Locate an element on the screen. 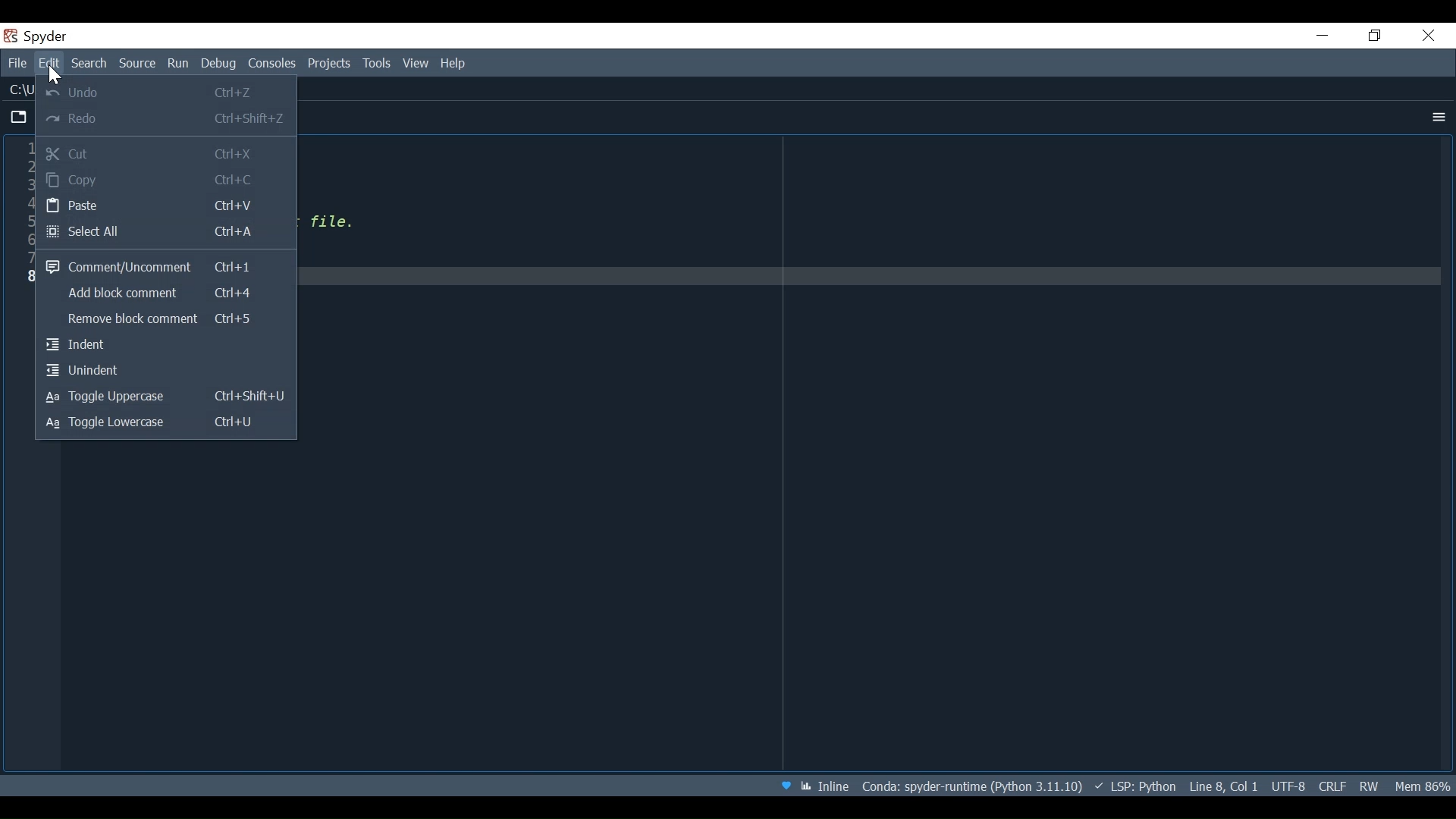 The width and height of the screenshot is (1456, 819). Edit is located at coordinates (51, 64).